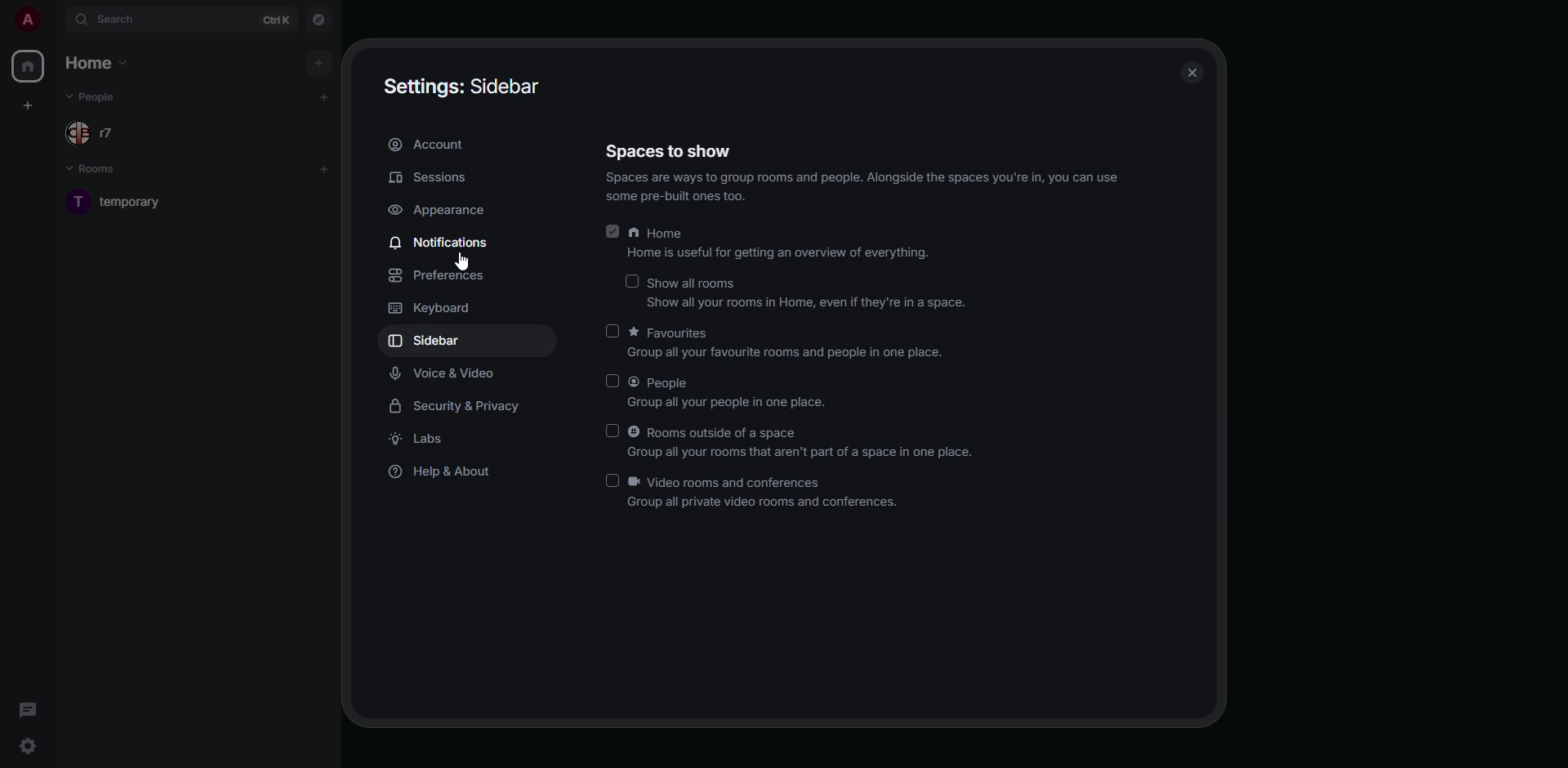 Image resolution: width=1568 pixels, height=768 pixels. Describe the element at coordinates (101, 171) in the screenshot. I see `rooms` at that location.